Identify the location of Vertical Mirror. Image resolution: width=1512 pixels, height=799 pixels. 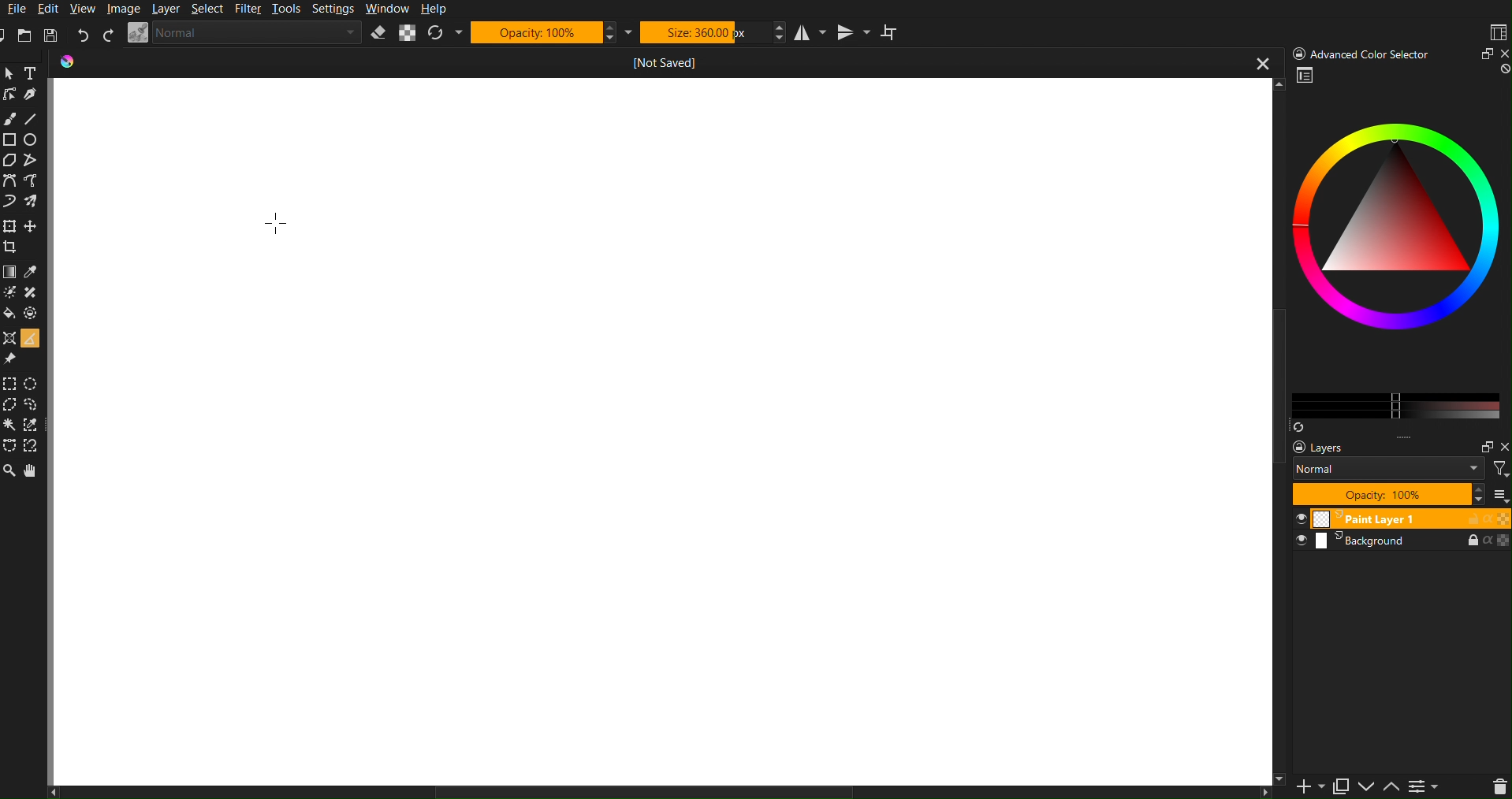
(851, 33).